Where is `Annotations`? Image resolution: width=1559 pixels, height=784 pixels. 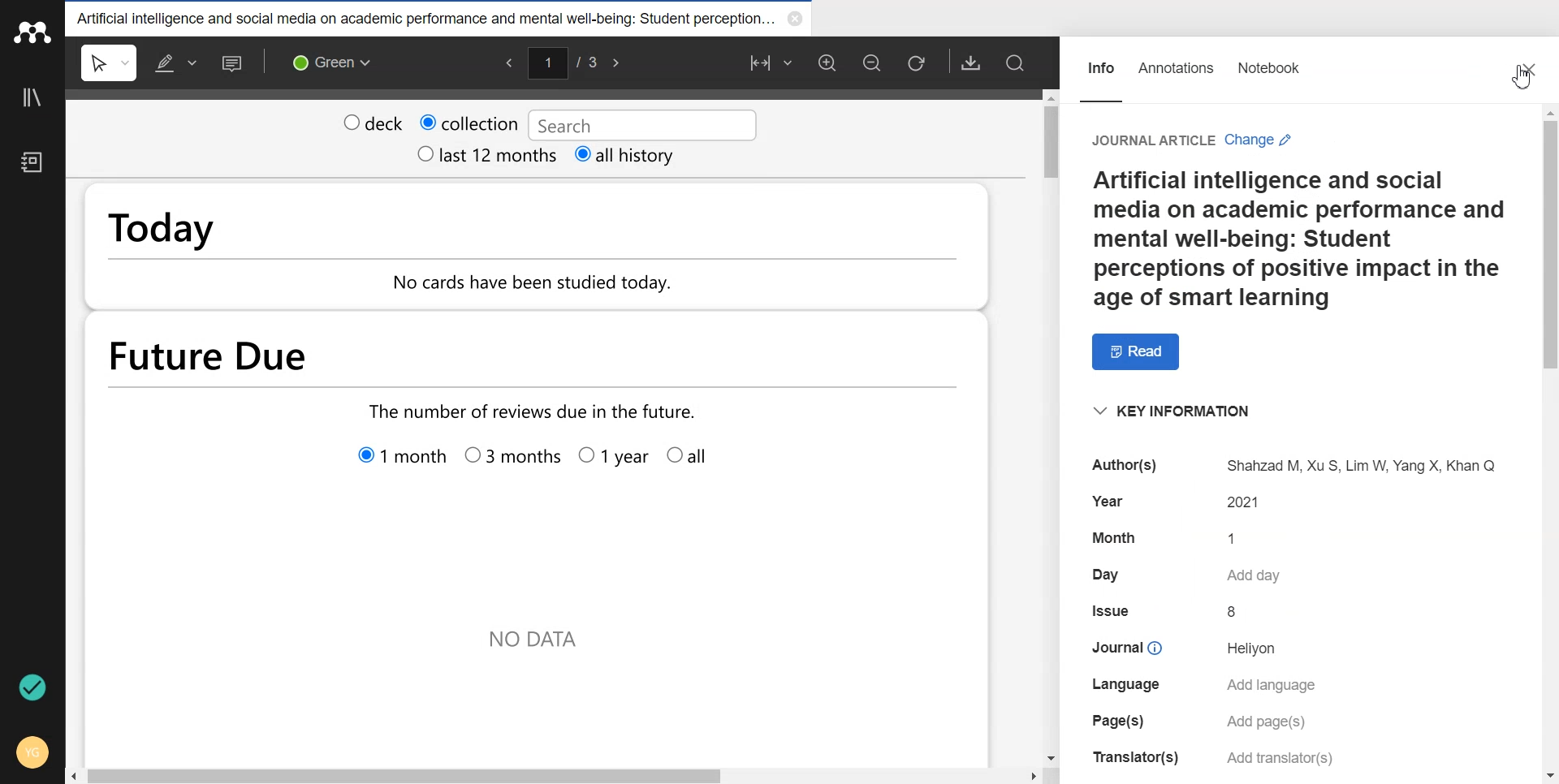 Annotations is located at coordinates (1180, 63).